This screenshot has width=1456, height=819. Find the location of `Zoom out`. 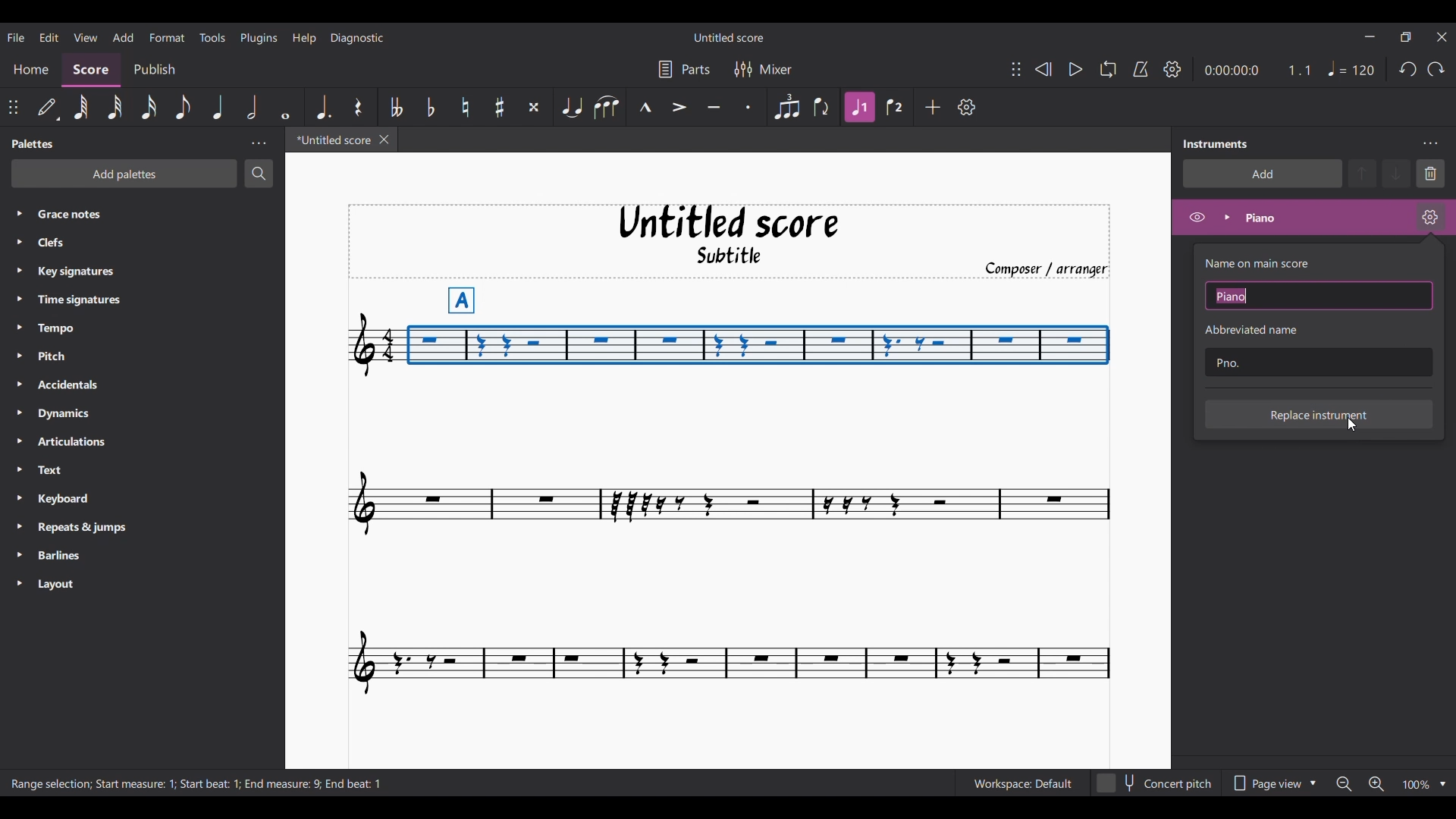

Zoom out is located at coordinates (1344, 785).